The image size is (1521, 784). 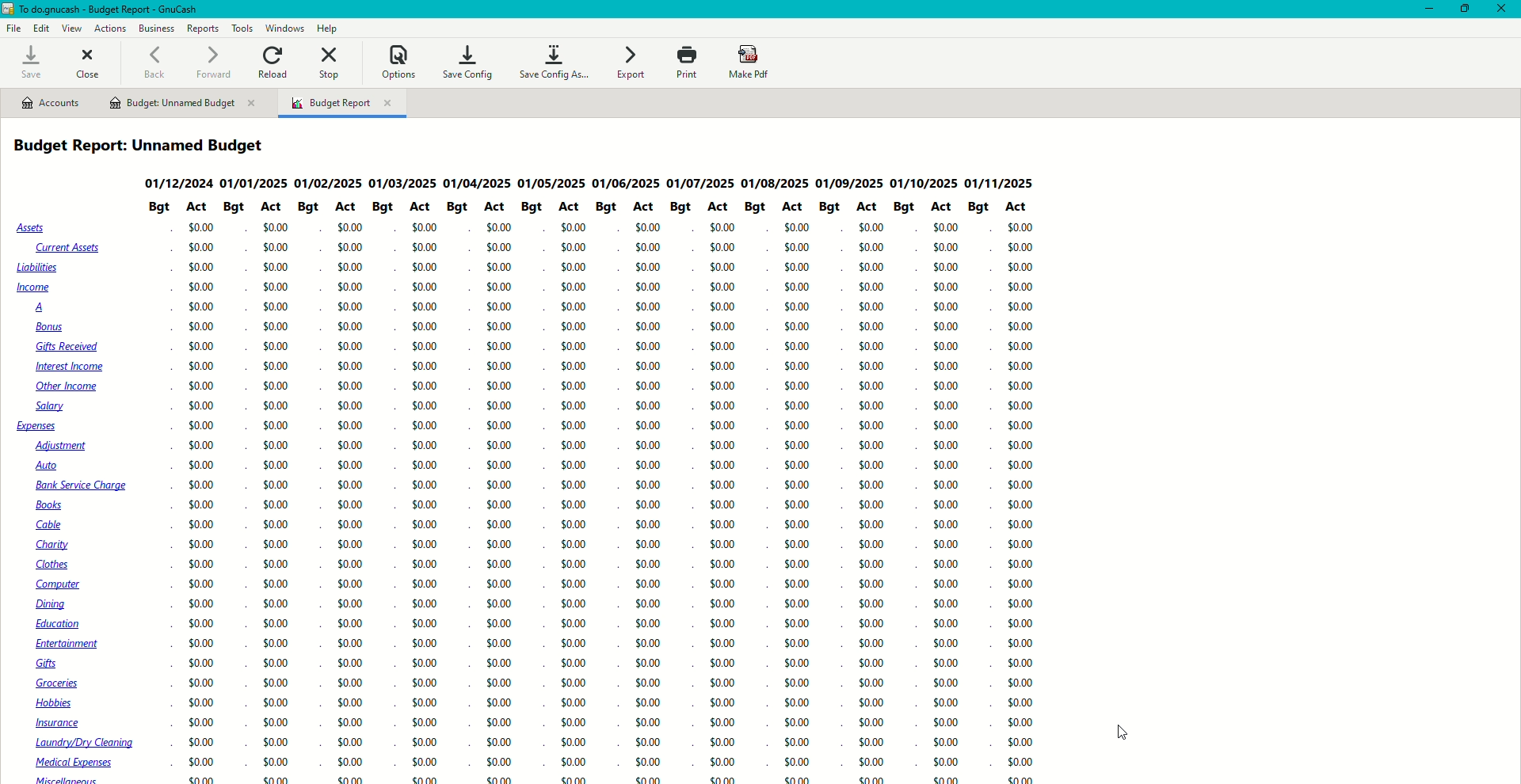 What do you see at coordinates (332, 64) in the screenshot?
I see `Stop` at bounding box center [332, 64].